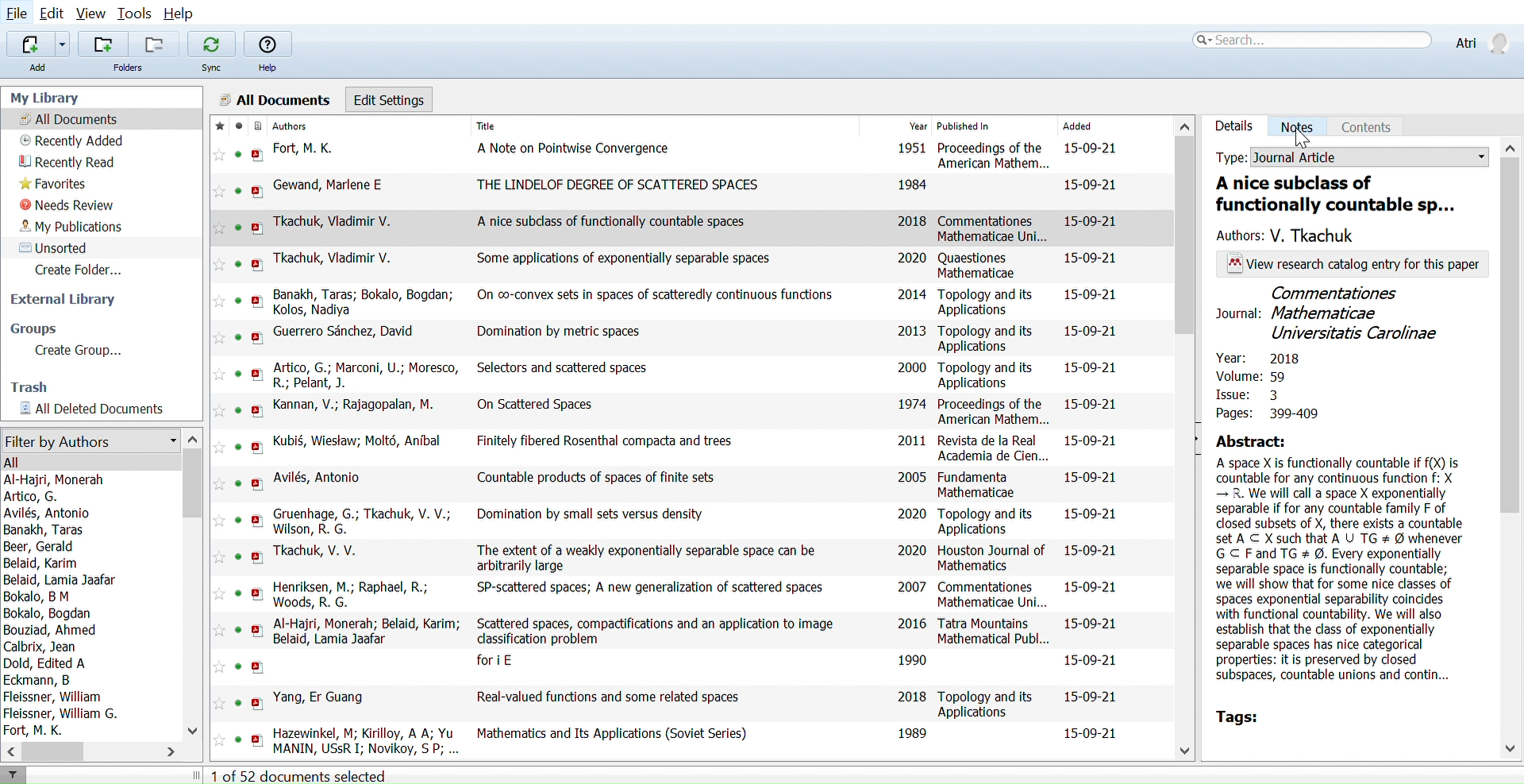 The image size is (1524, 784). What do you see at coordinates (914, 698) in the screenshot?
I see `2018` at bounding box center [914, 698].